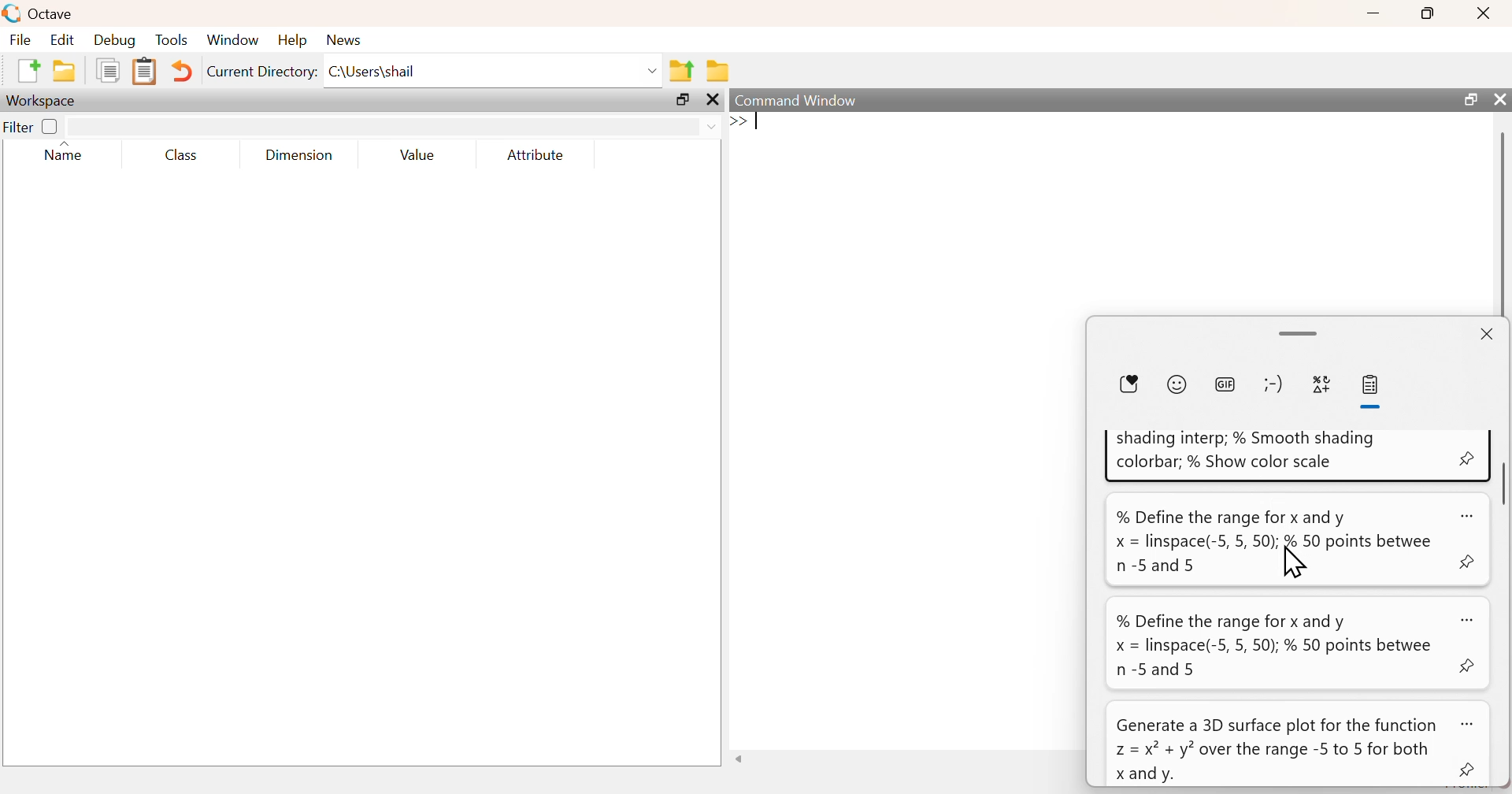 This screenshot has width=1512, height=794. Describe the element at coordinates (232, 39) in the screenshot. I see `Window` at that location.